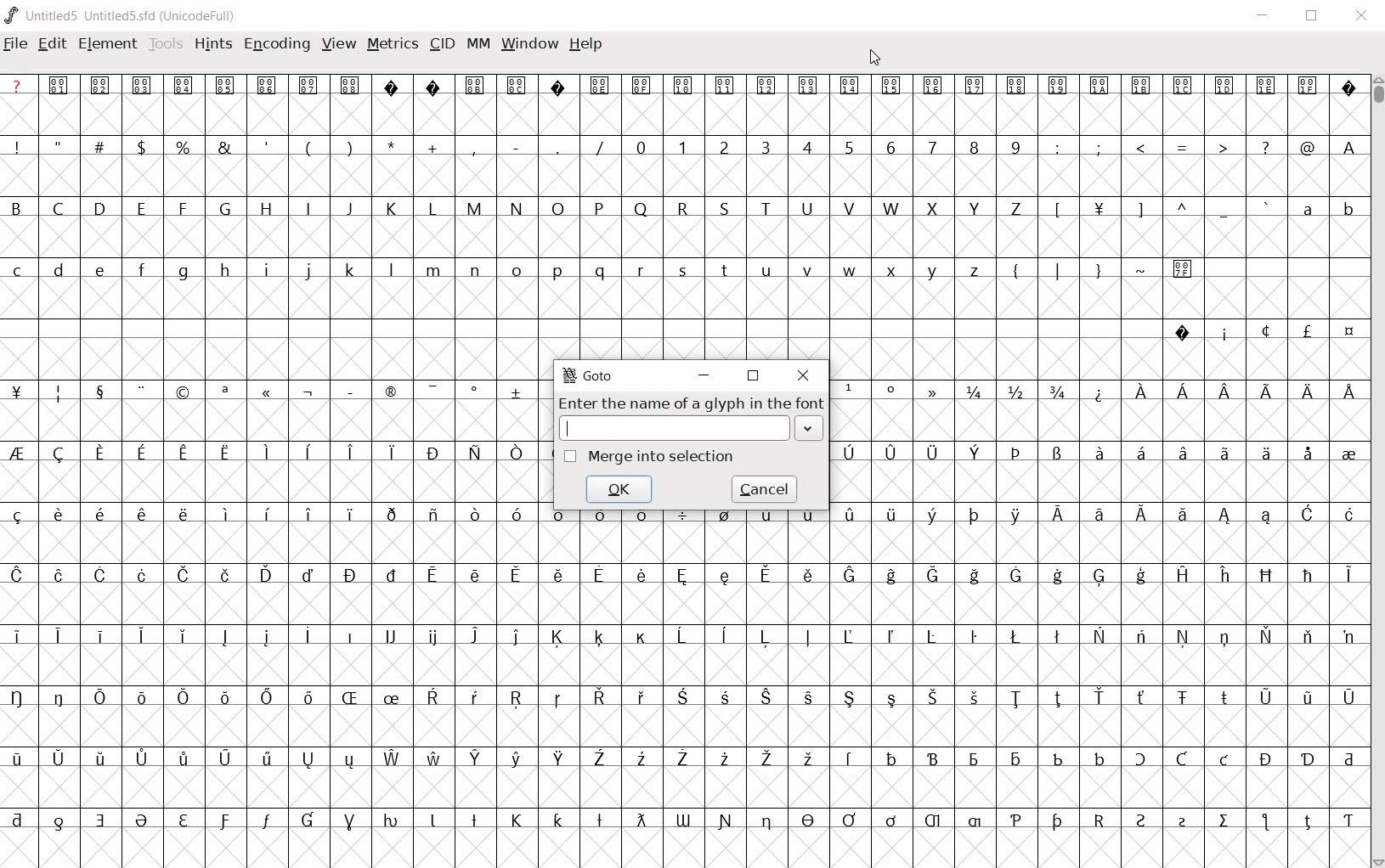  What do you see at coordinates (1139, 516) in the screenshot?
I see `Symbol` at bounding box center [1139, 516].